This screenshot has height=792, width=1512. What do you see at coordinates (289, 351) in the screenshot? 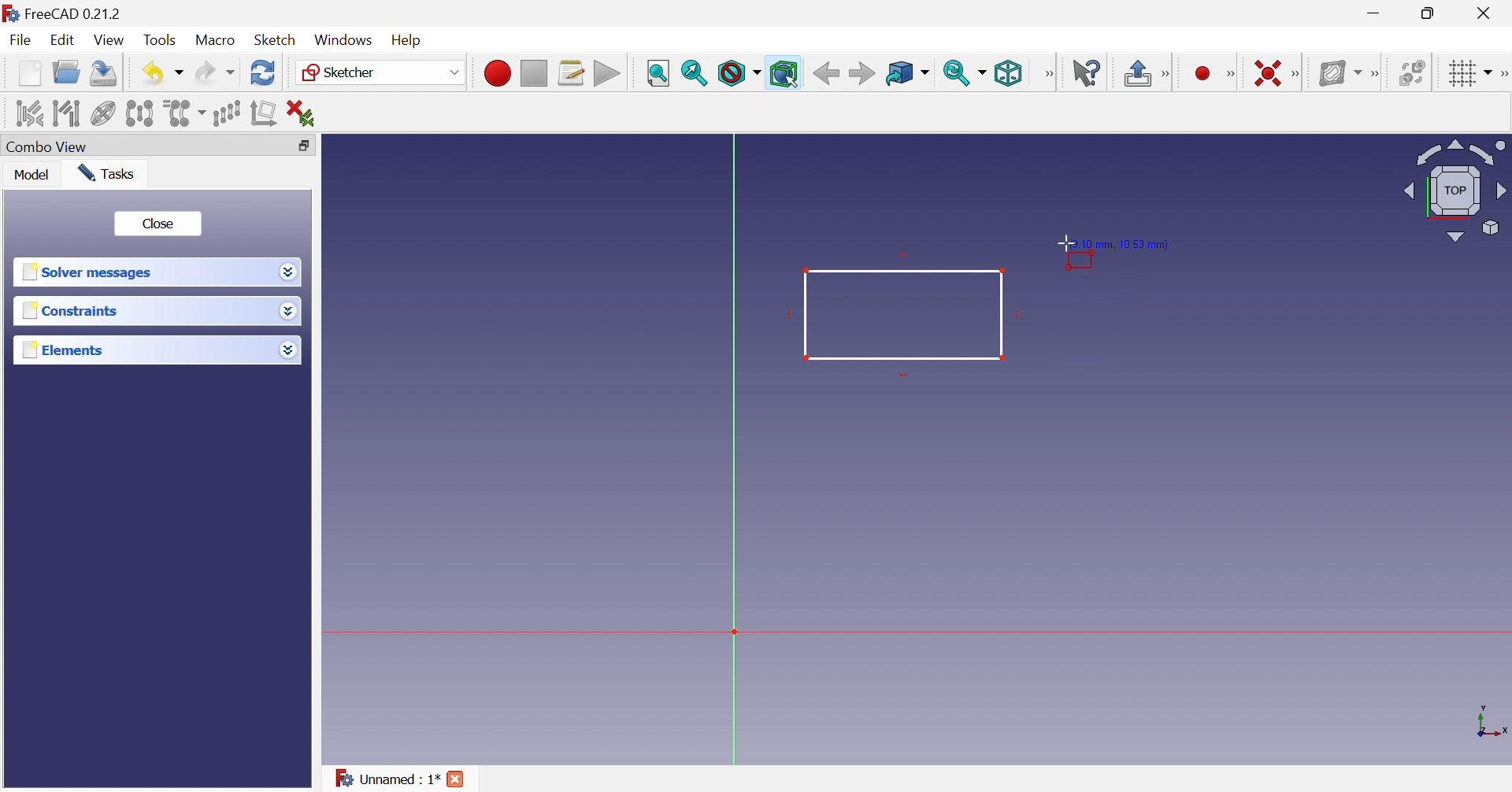
I see `Drop down` at bounding box center [289, 351].